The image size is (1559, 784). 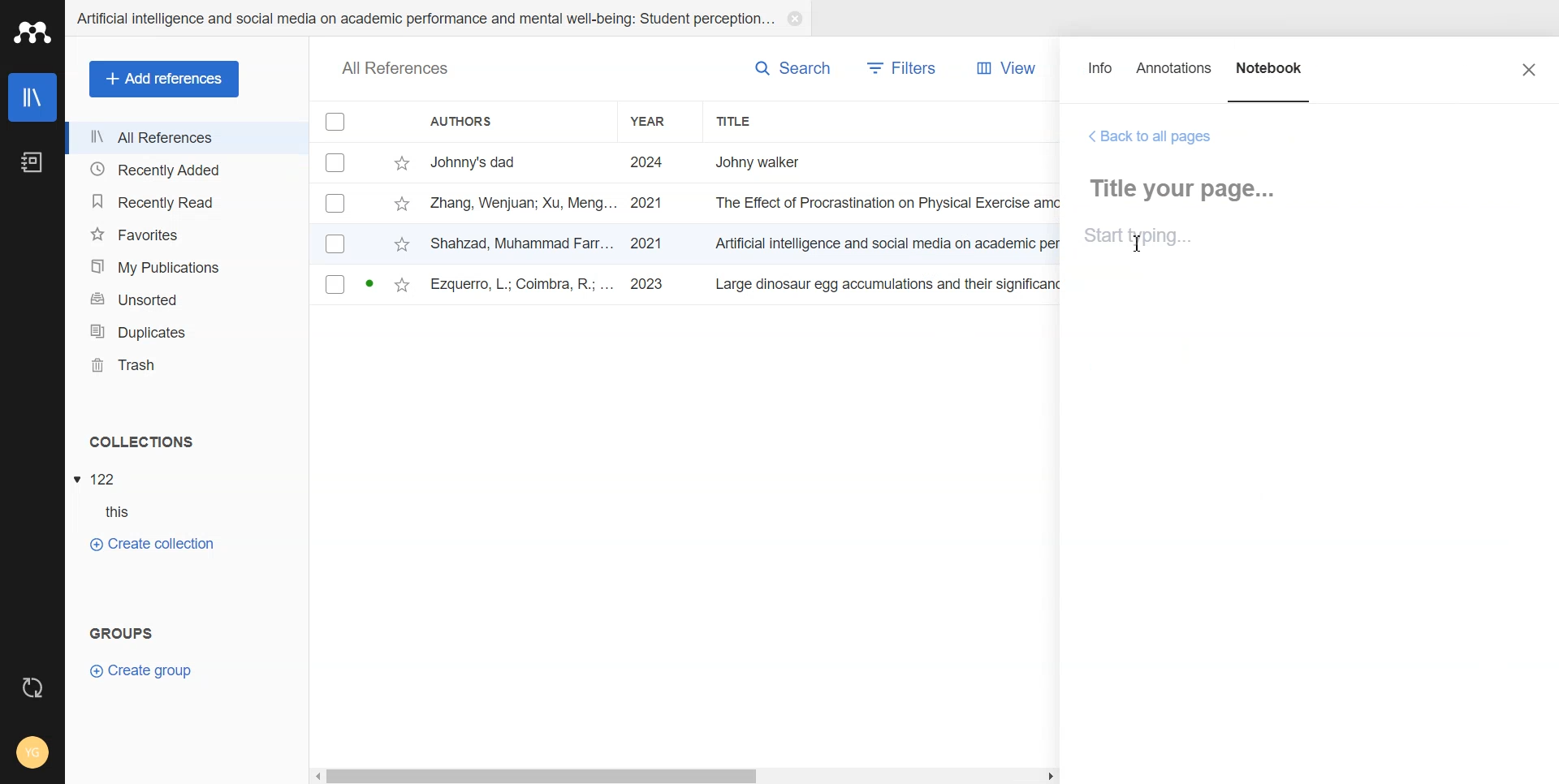 I want to click on Search, so click(x=792, y=67).